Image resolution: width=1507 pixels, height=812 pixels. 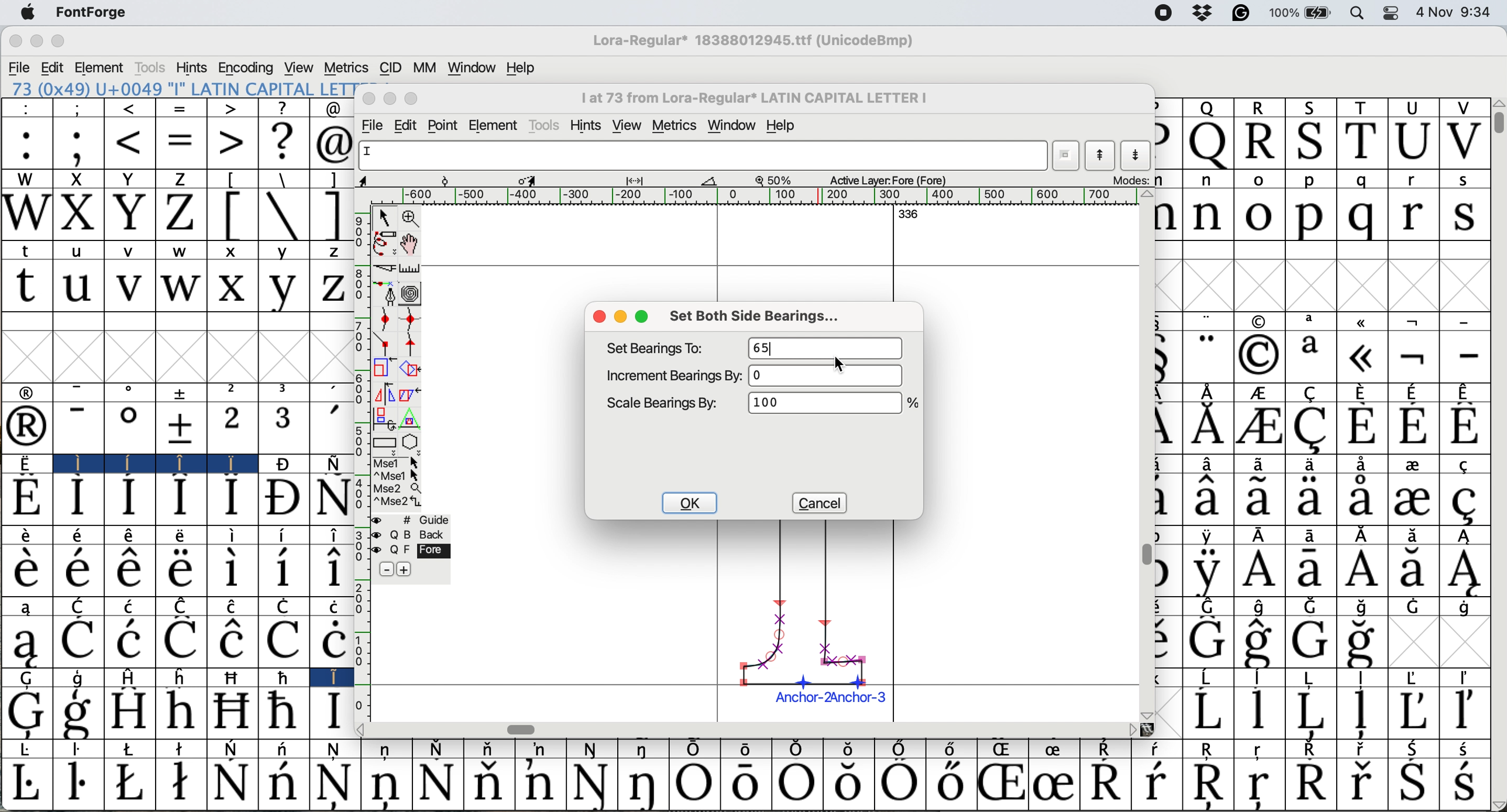 I want to click on Symbol, so click(x=1364, y=535).